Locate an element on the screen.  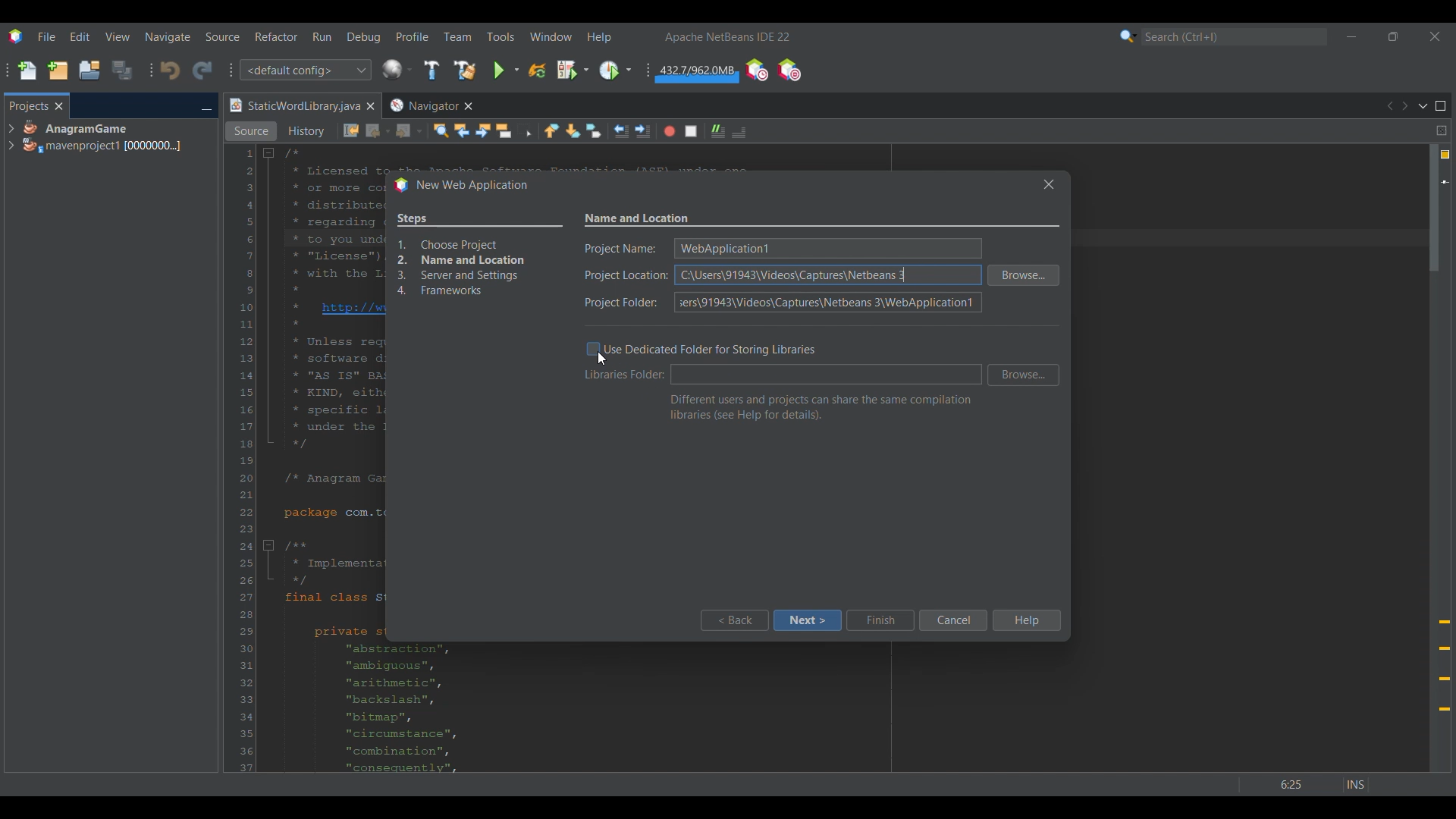
Maximize window is located at coordinates (1441, 106).